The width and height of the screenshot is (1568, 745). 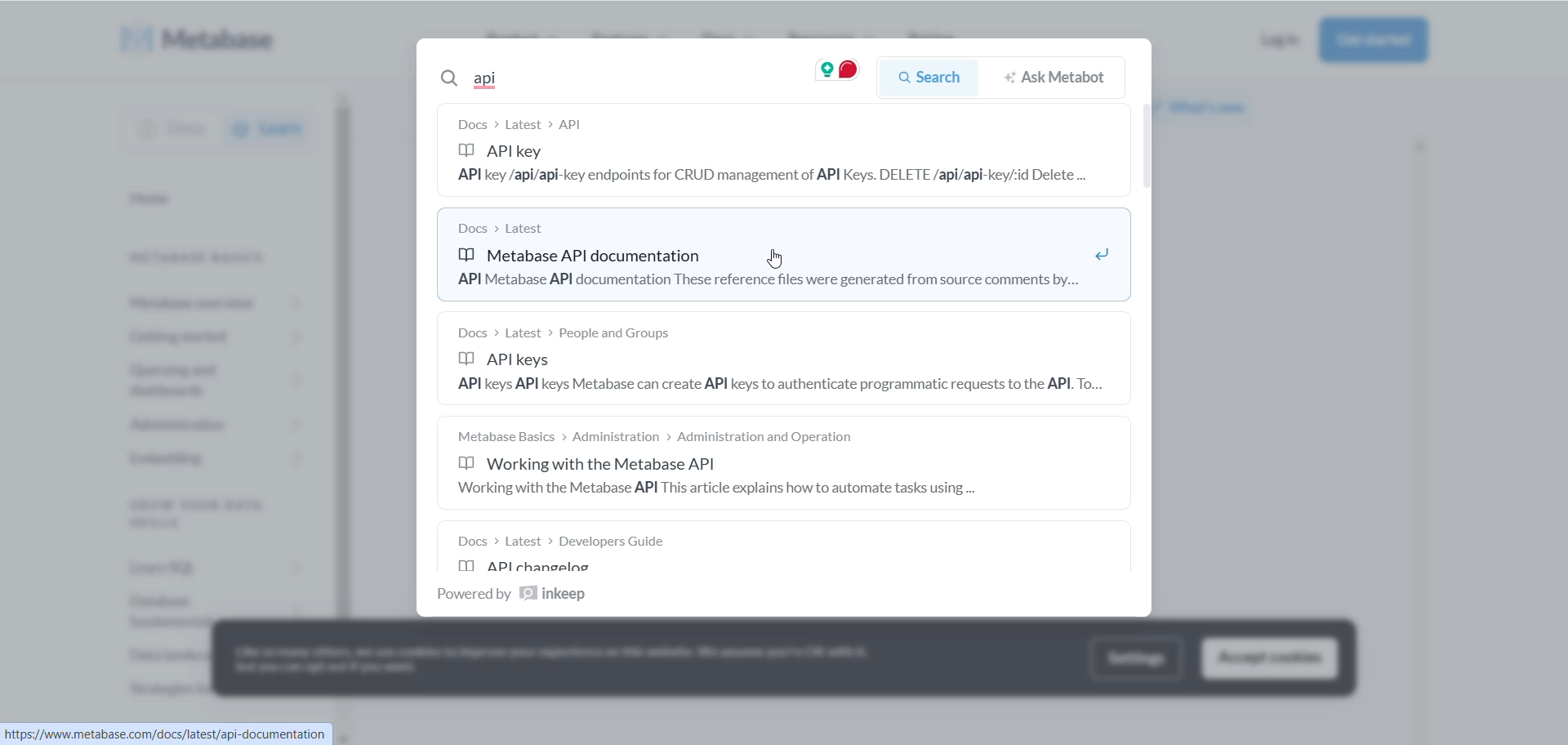 What do you see at coordinates (1066, 78) in the screenshot?
I see `ask metabot button` at bounding box center [1066, 78].